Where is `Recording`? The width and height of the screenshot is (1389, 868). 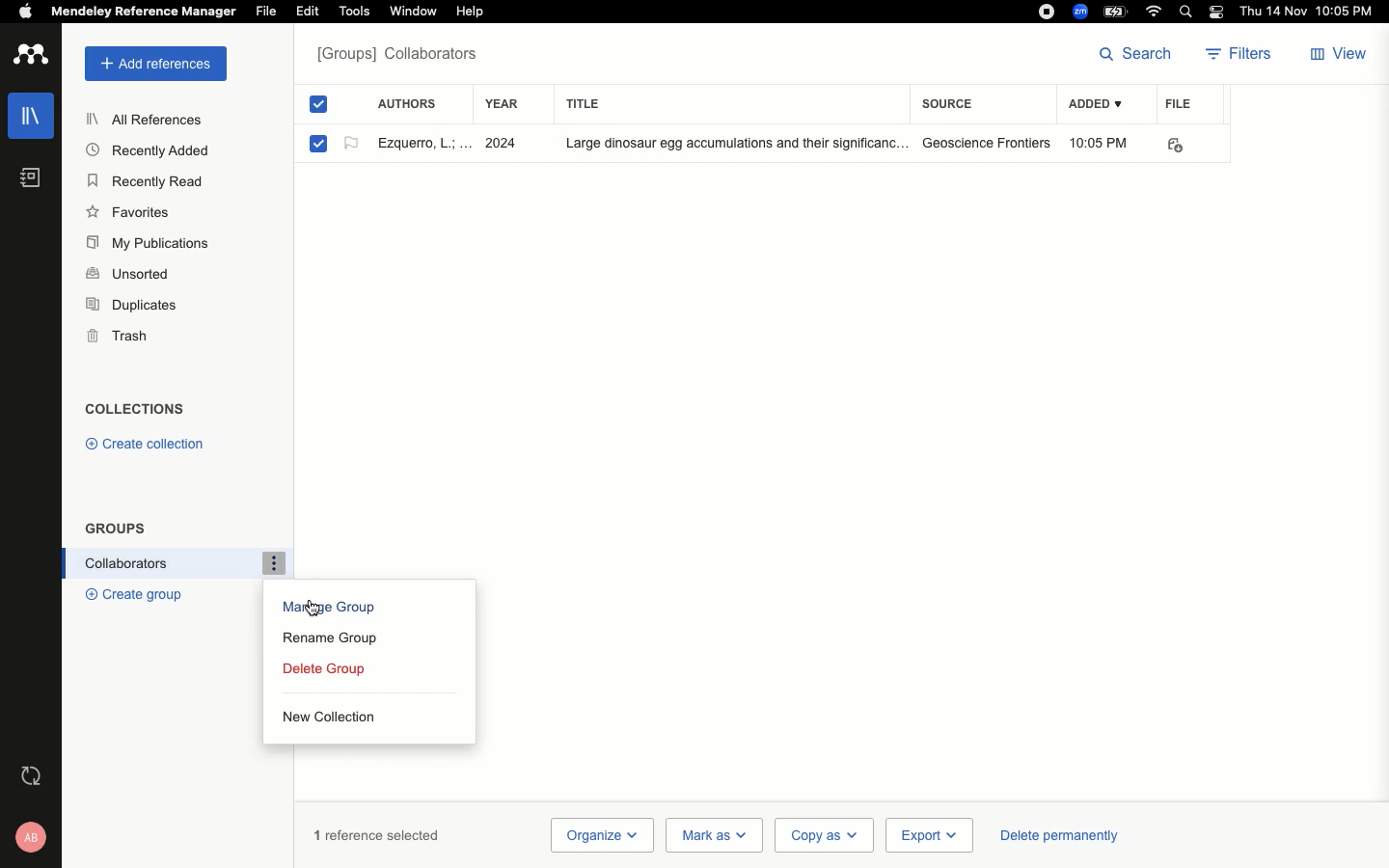
Recording is located at coordinates (1047, 12).